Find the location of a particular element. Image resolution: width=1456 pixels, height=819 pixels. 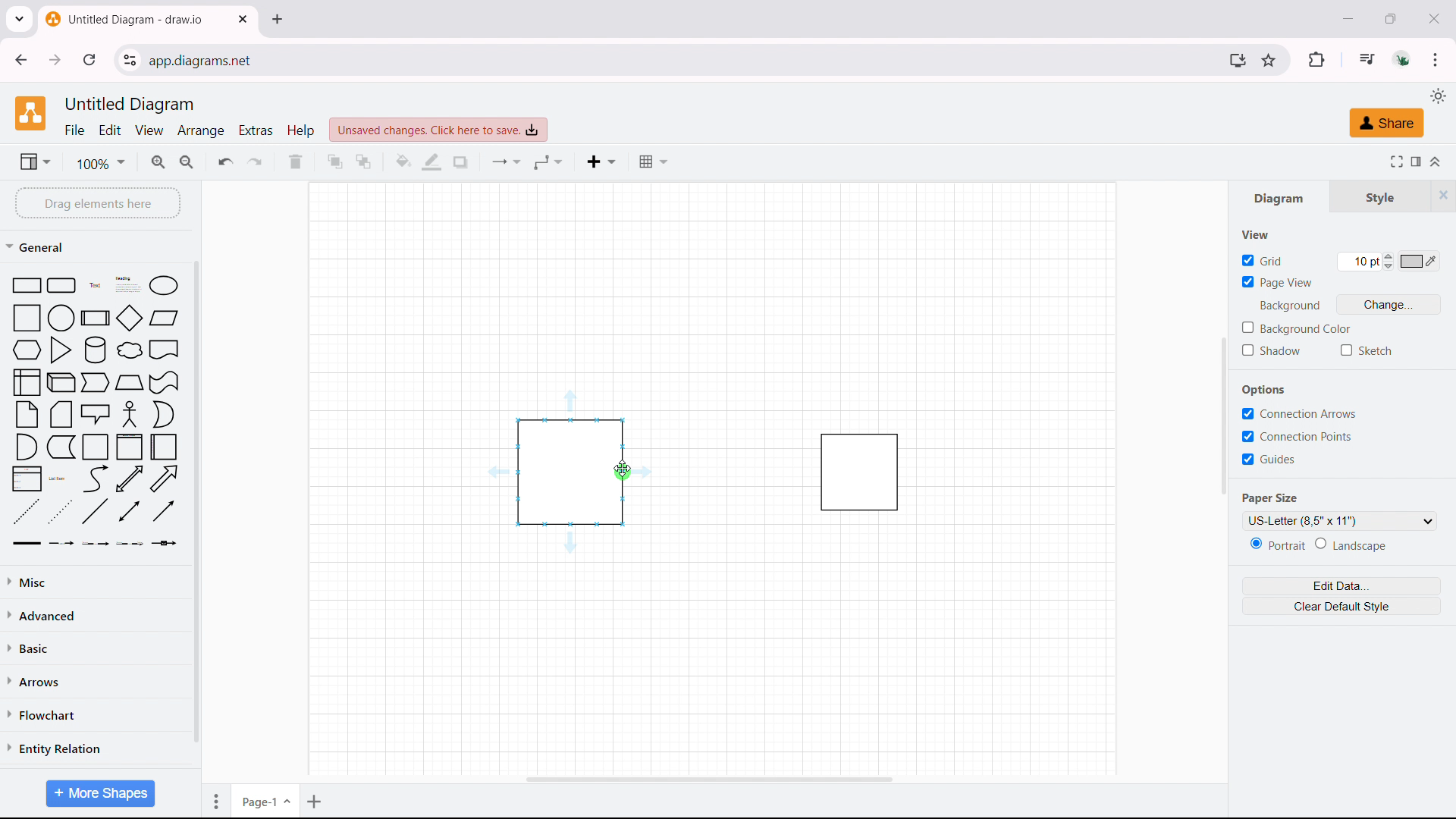

basic is located at coordinates (98, 645).